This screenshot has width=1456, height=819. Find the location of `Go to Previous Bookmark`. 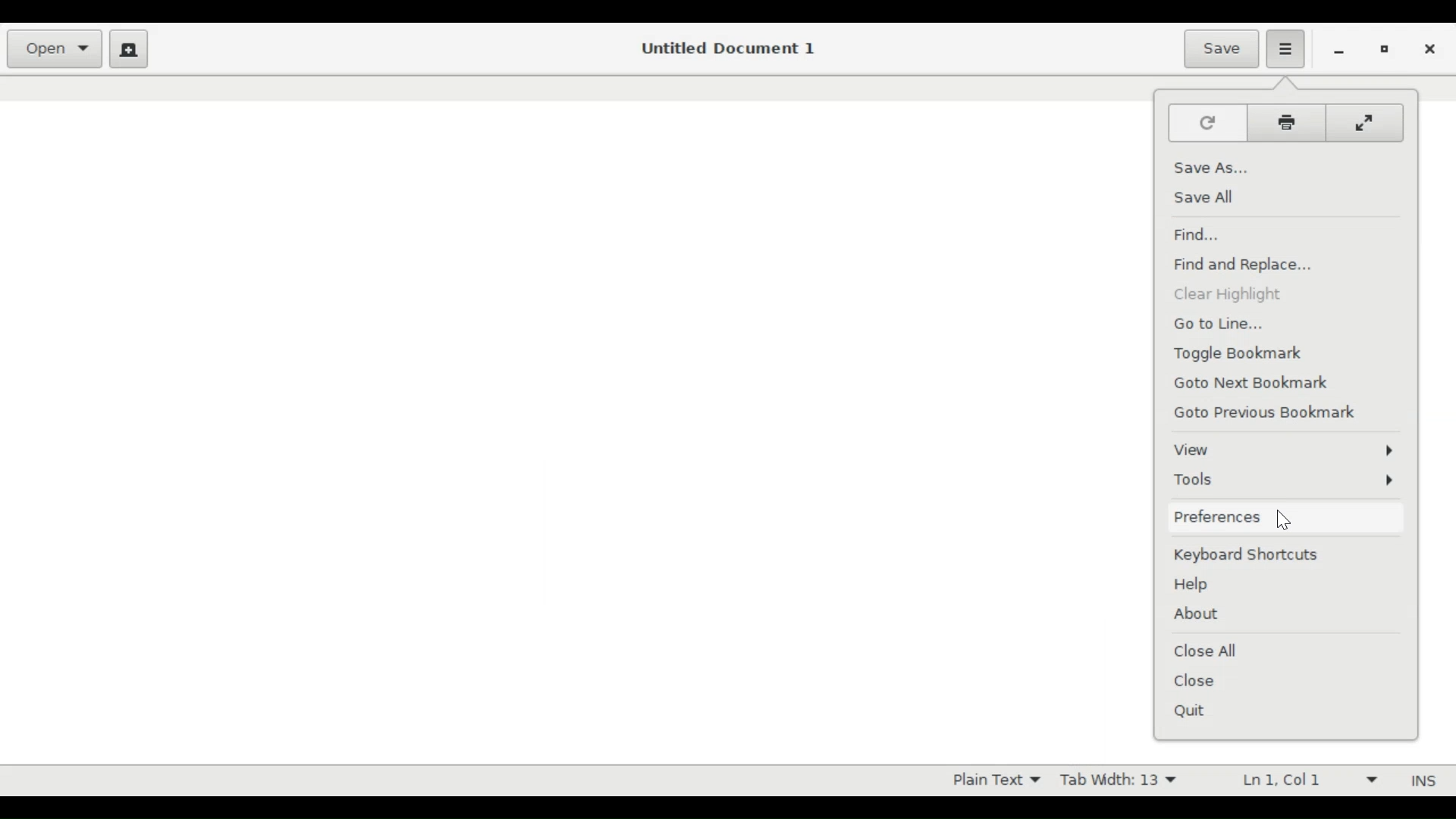

Go to Previous Bookmark is located at coordinates (1266, 412).